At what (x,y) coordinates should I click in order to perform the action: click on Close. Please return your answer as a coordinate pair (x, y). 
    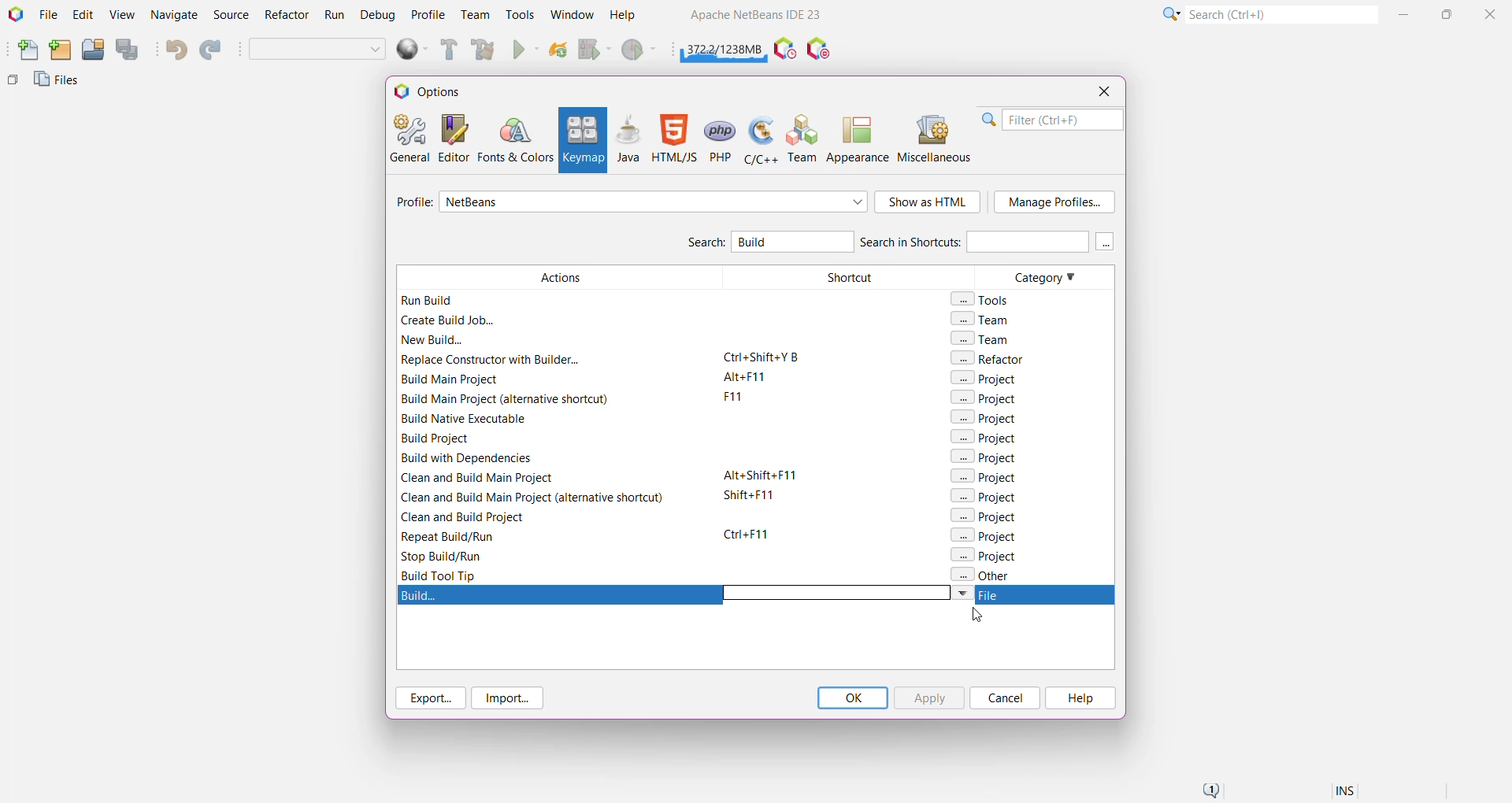
    Looking at the image, I should click on (1492, 13).